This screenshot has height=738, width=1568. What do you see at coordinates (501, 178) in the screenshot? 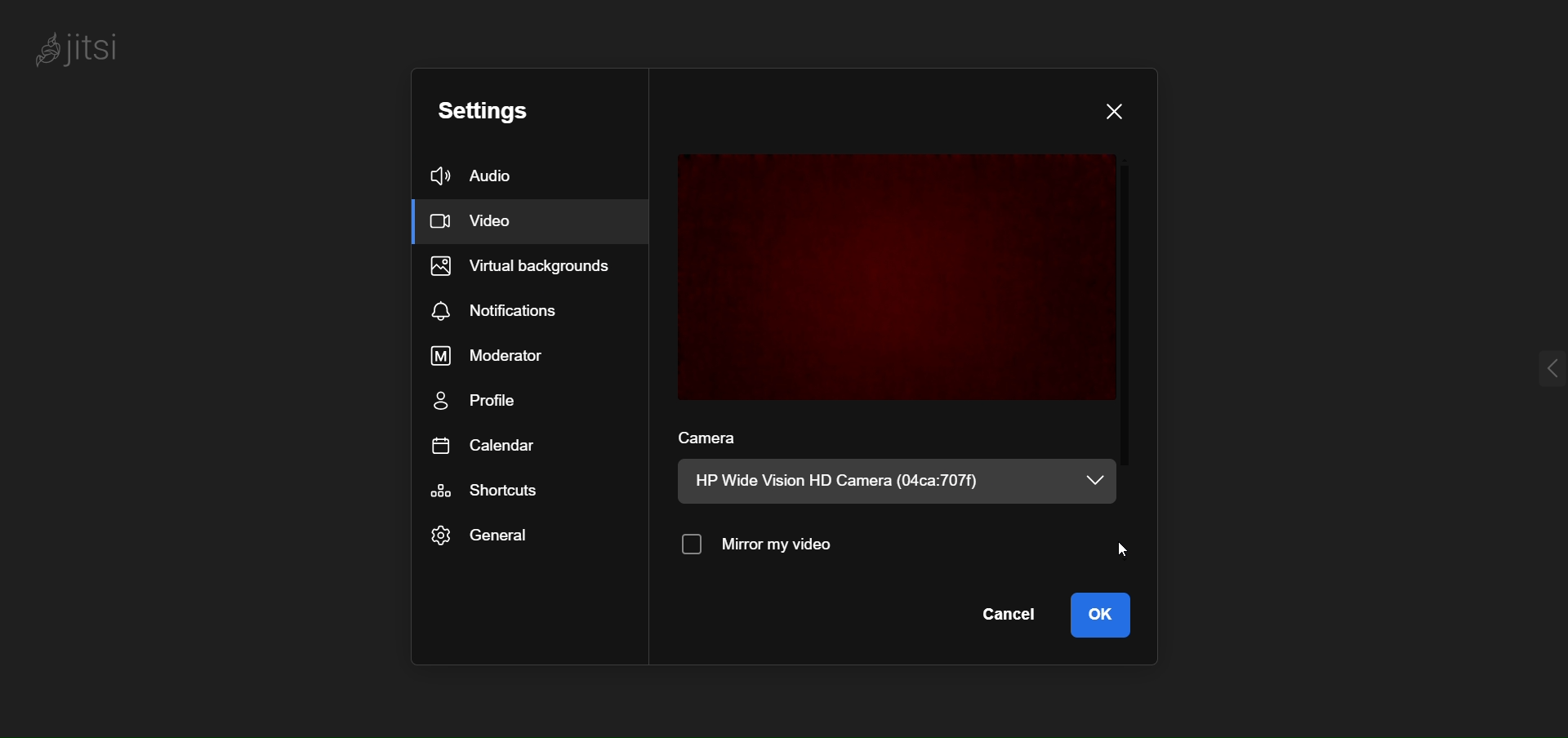
I see `audio` at bounding box center [501, 178].